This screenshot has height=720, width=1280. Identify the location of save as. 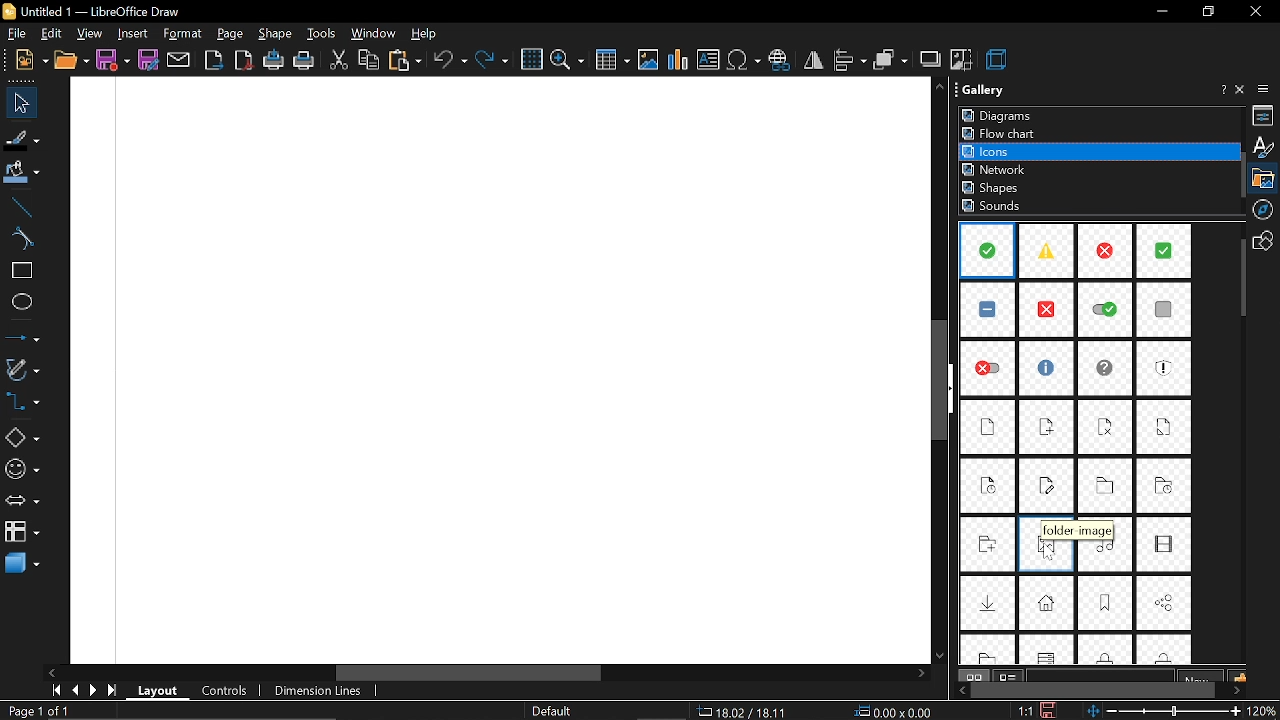
(150, 60).